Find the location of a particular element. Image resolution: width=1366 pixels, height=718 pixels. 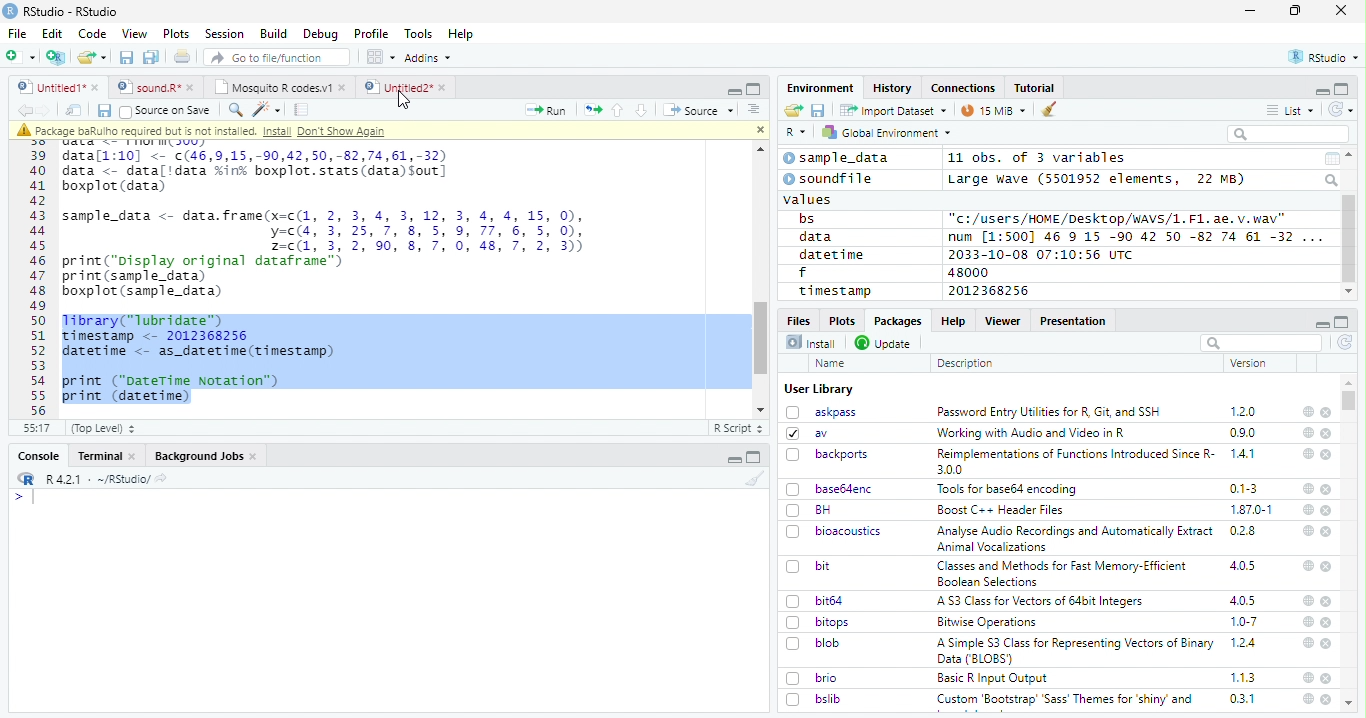

full screen is located at coordinates (1342, 322).